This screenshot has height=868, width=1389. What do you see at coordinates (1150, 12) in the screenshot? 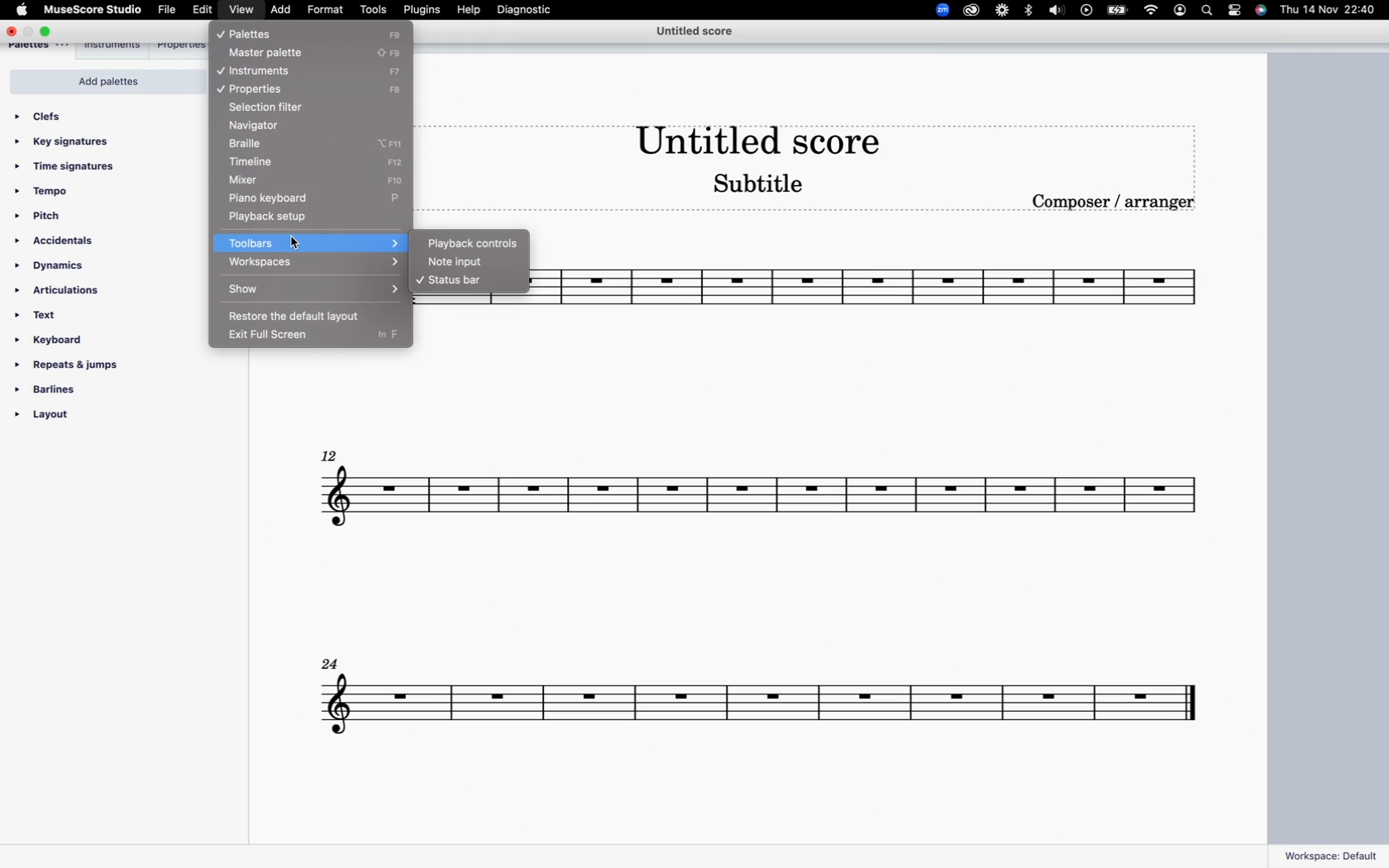
I see `wifi` at bounding box center [1150, 12].